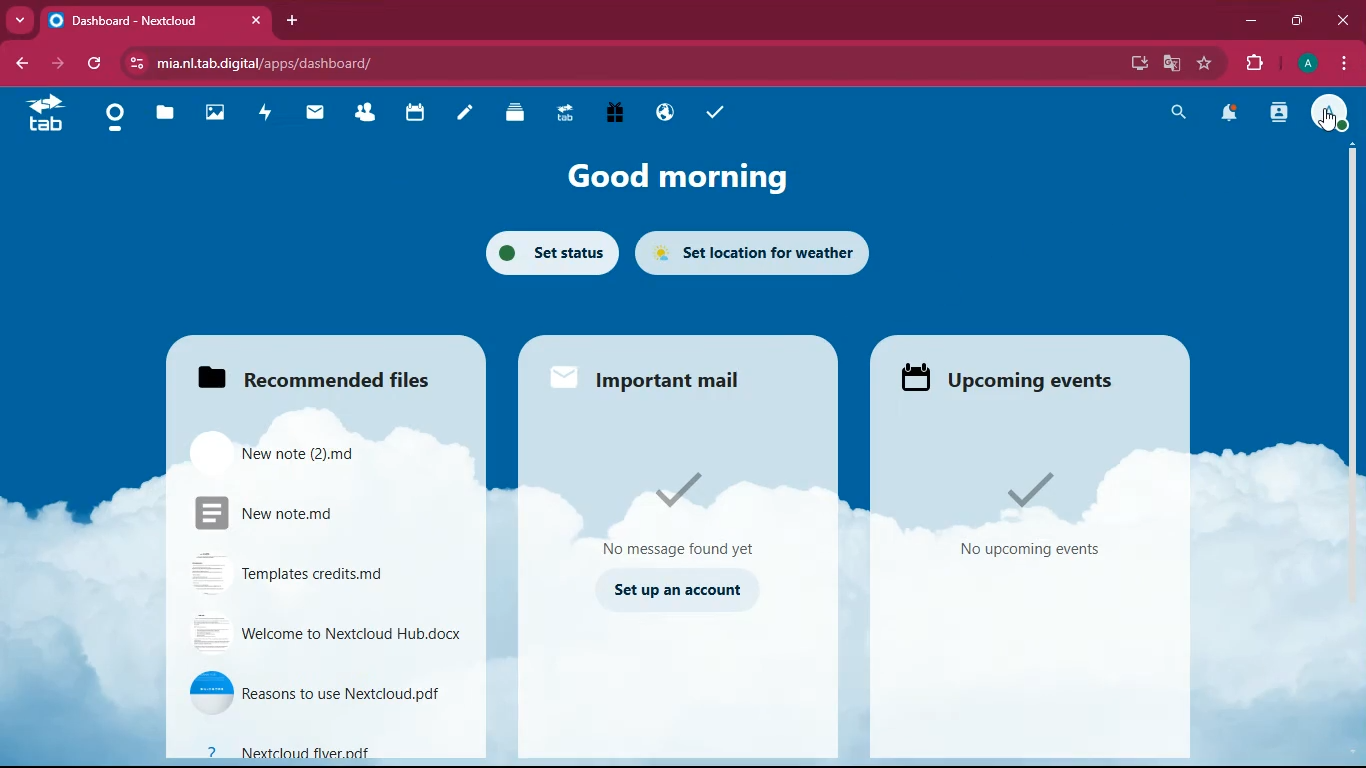 The height and width of the screenshot is (768, 1366). I want to click on home, so click(120, 120).